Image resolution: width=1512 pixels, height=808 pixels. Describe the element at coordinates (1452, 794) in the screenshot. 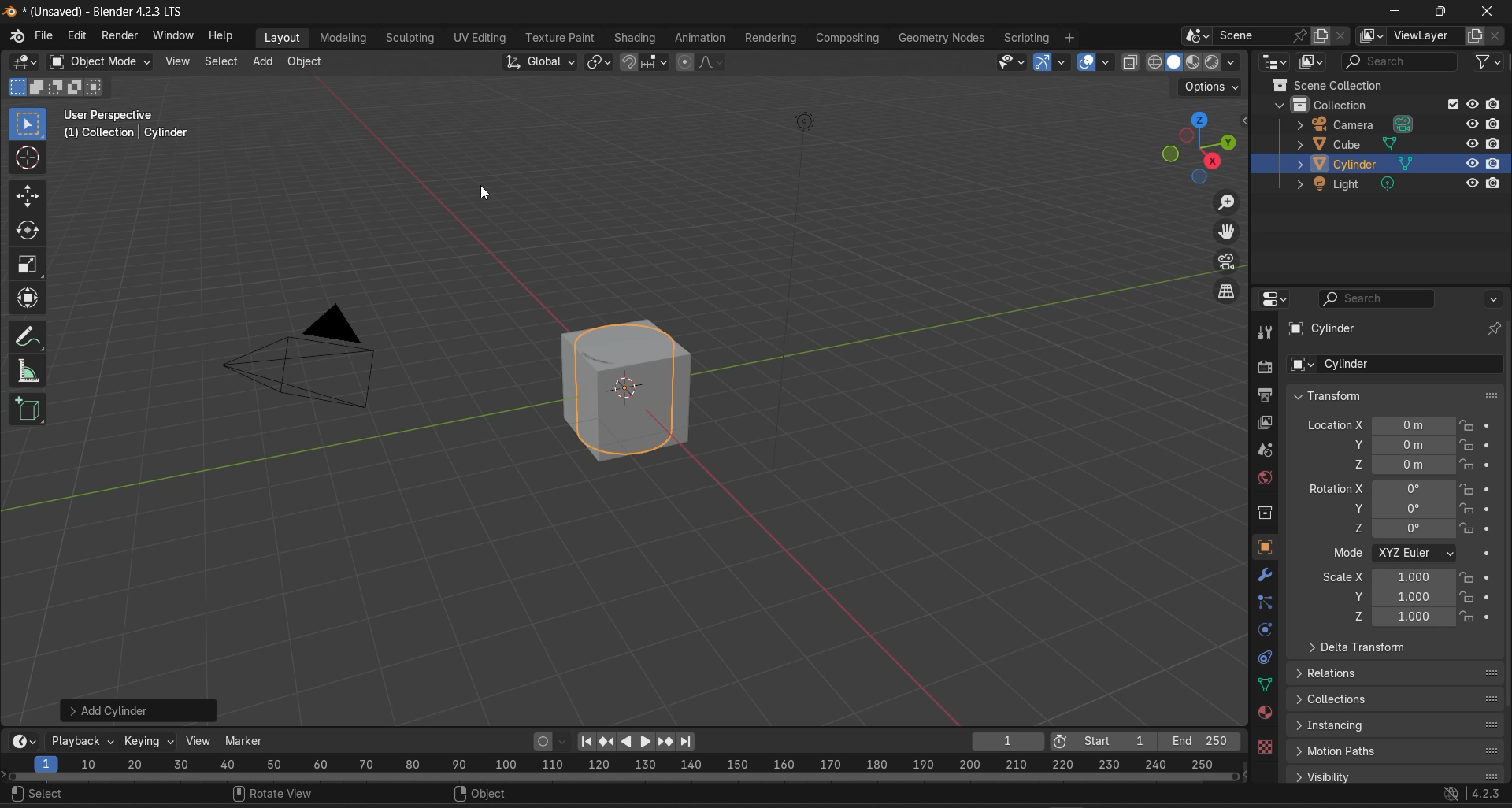

I see `network preference` at that location.